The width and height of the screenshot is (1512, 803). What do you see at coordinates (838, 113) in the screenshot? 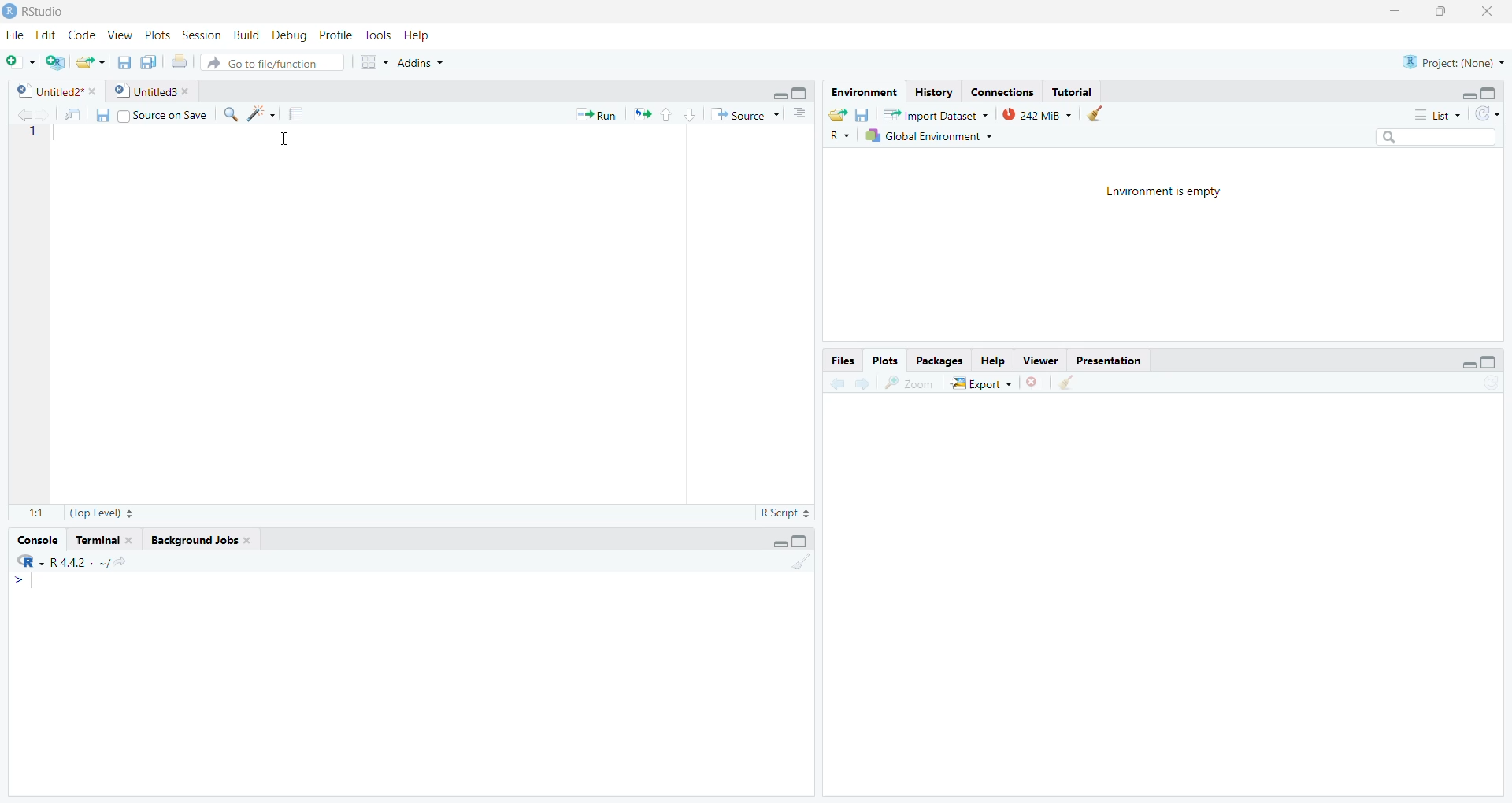
I see `Load workspace` at bounding box center [838, 113].